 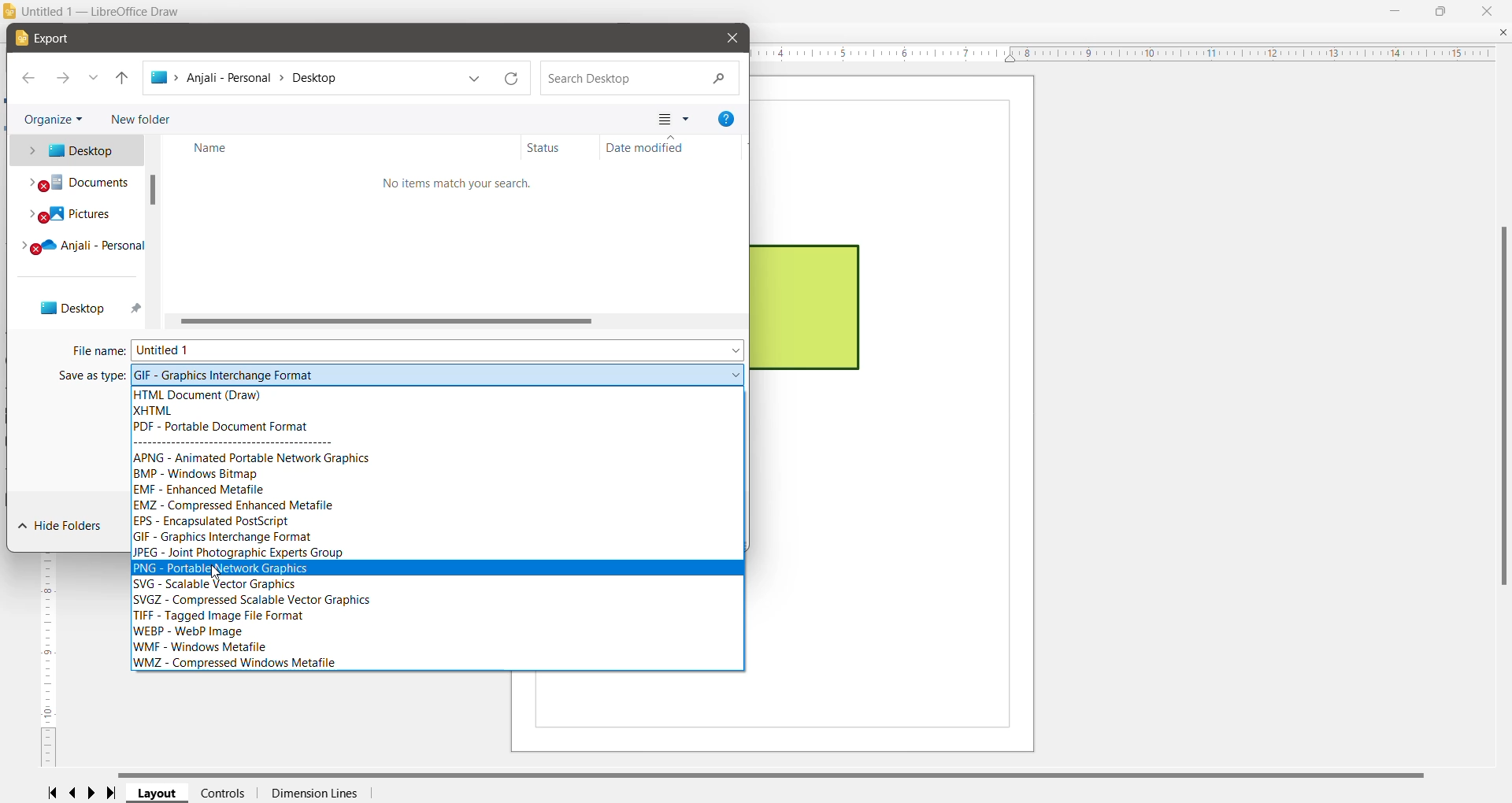 I want to click on File name, so click(x=98, y=352).